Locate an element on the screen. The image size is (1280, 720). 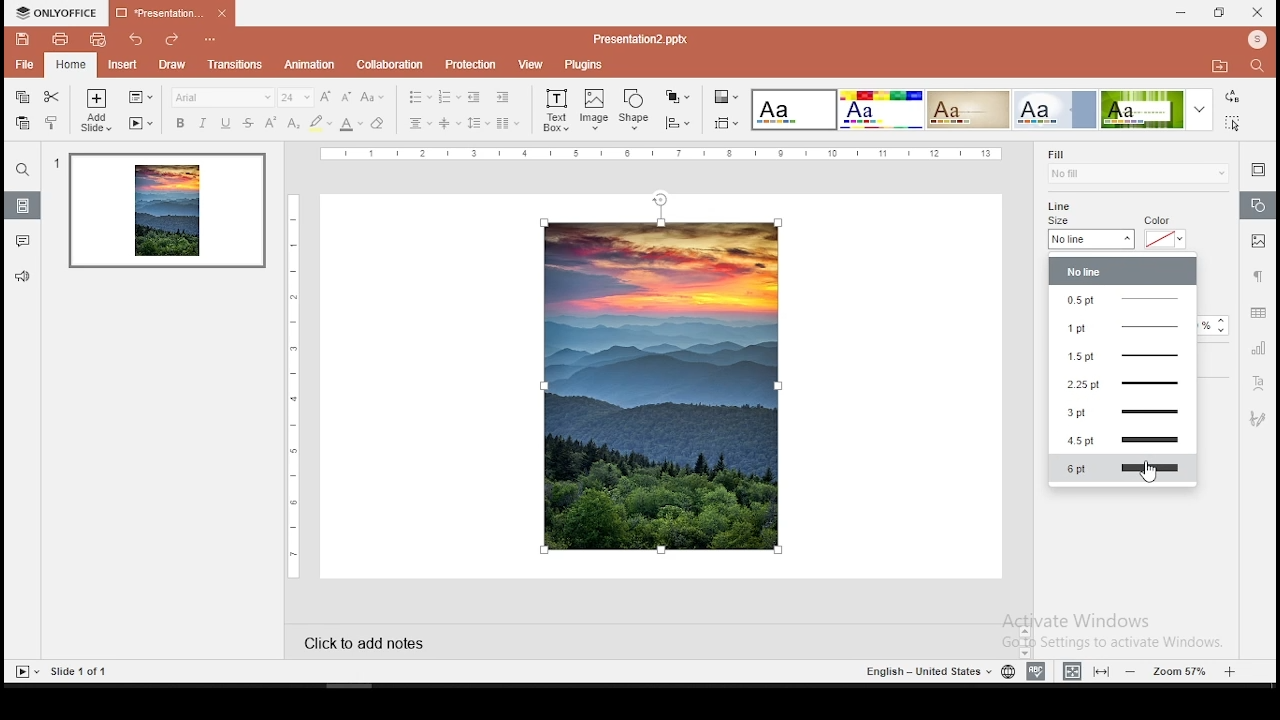
bullets is located at coordinates (419, 96).